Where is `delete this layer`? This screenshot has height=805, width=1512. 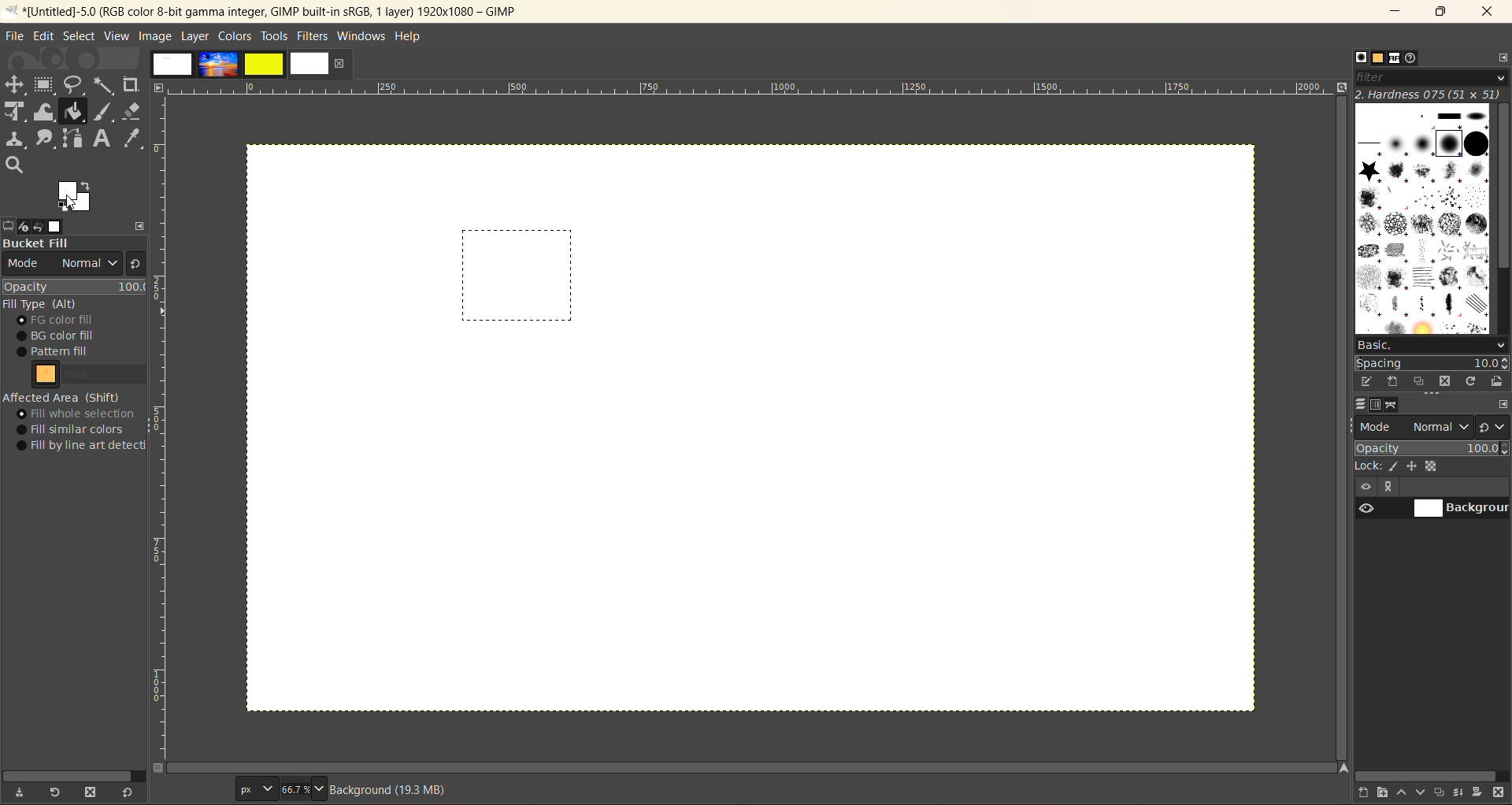 delete this layer is located at coordinates (1499, 794).